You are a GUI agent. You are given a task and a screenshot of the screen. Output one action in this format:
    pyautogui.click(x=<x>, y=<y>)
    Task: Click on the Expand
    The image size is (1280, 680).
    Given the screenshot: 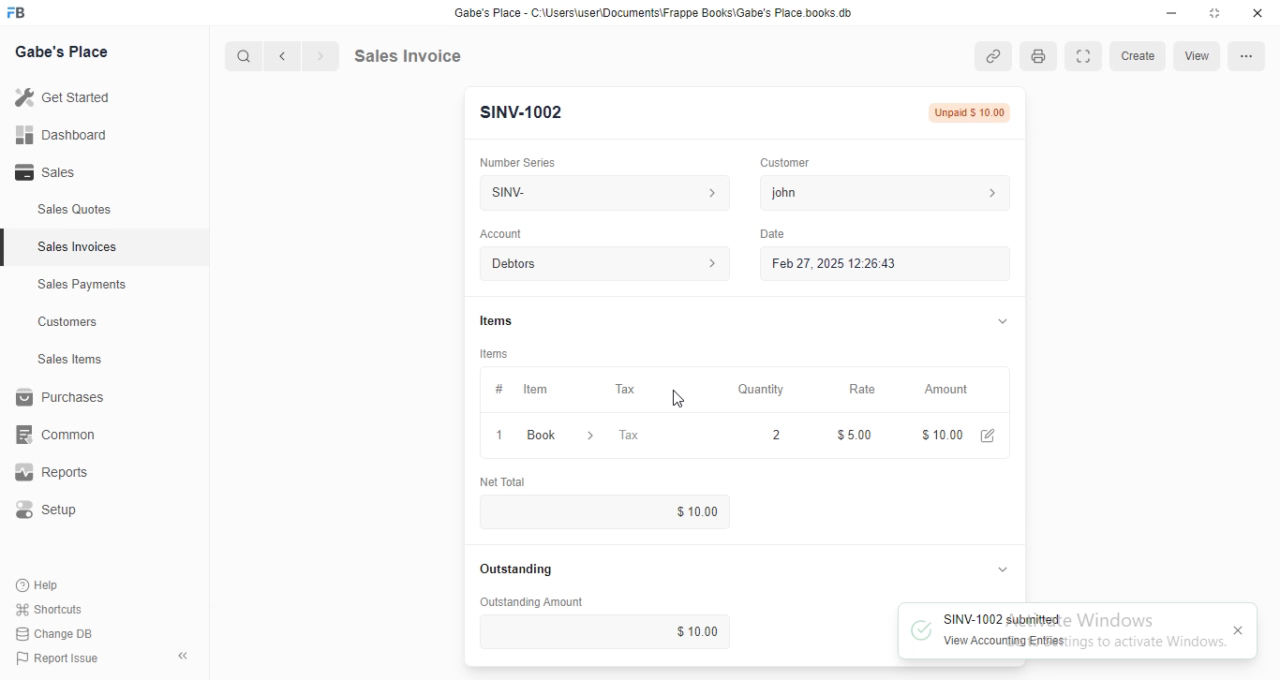 What is the action you would take?
    pyautogui.click(x=1003, y=569)
    